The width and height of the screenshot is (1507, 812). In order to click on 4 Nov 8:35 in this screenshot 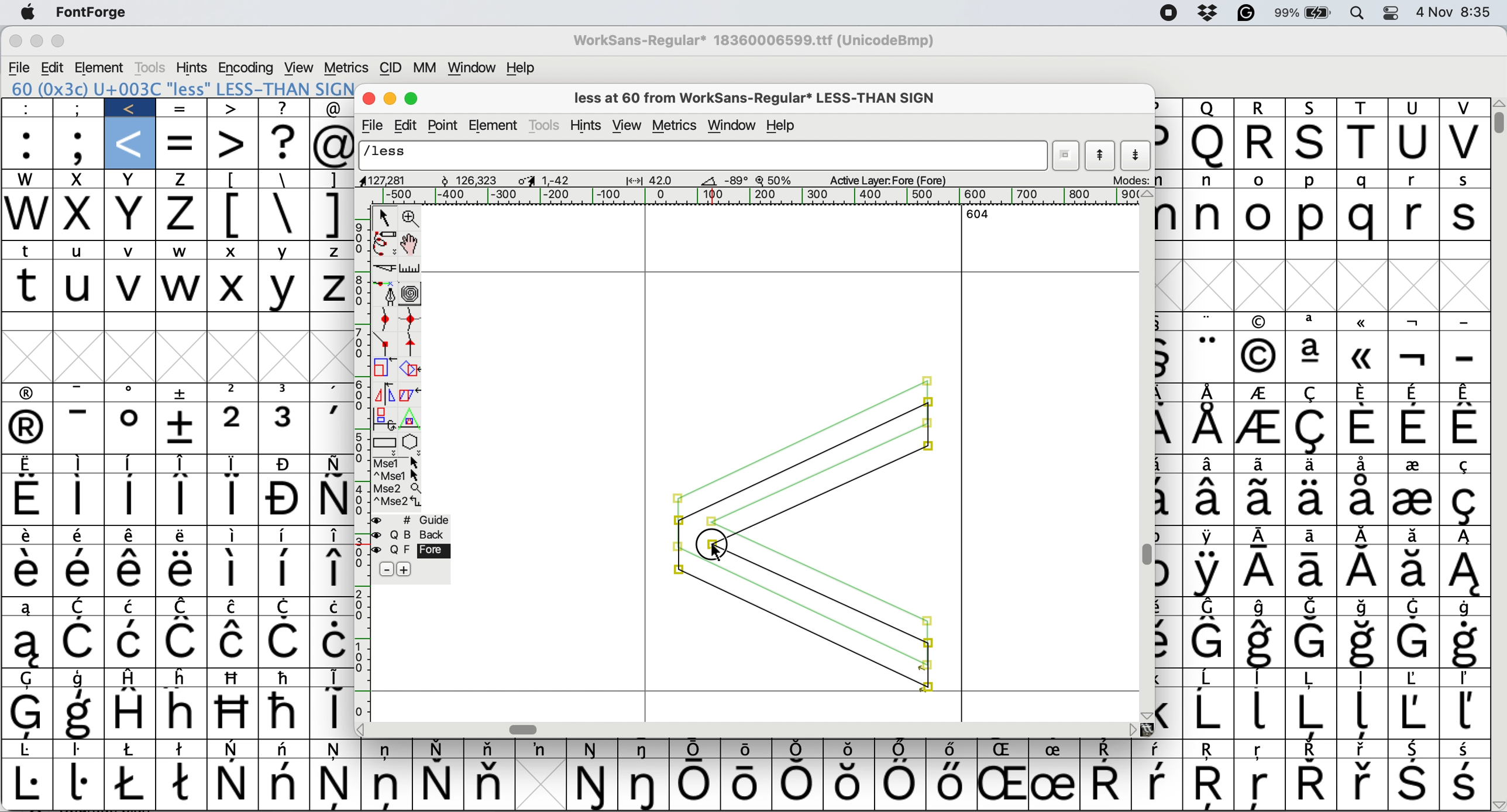, I will do `click(1457, 13)`.